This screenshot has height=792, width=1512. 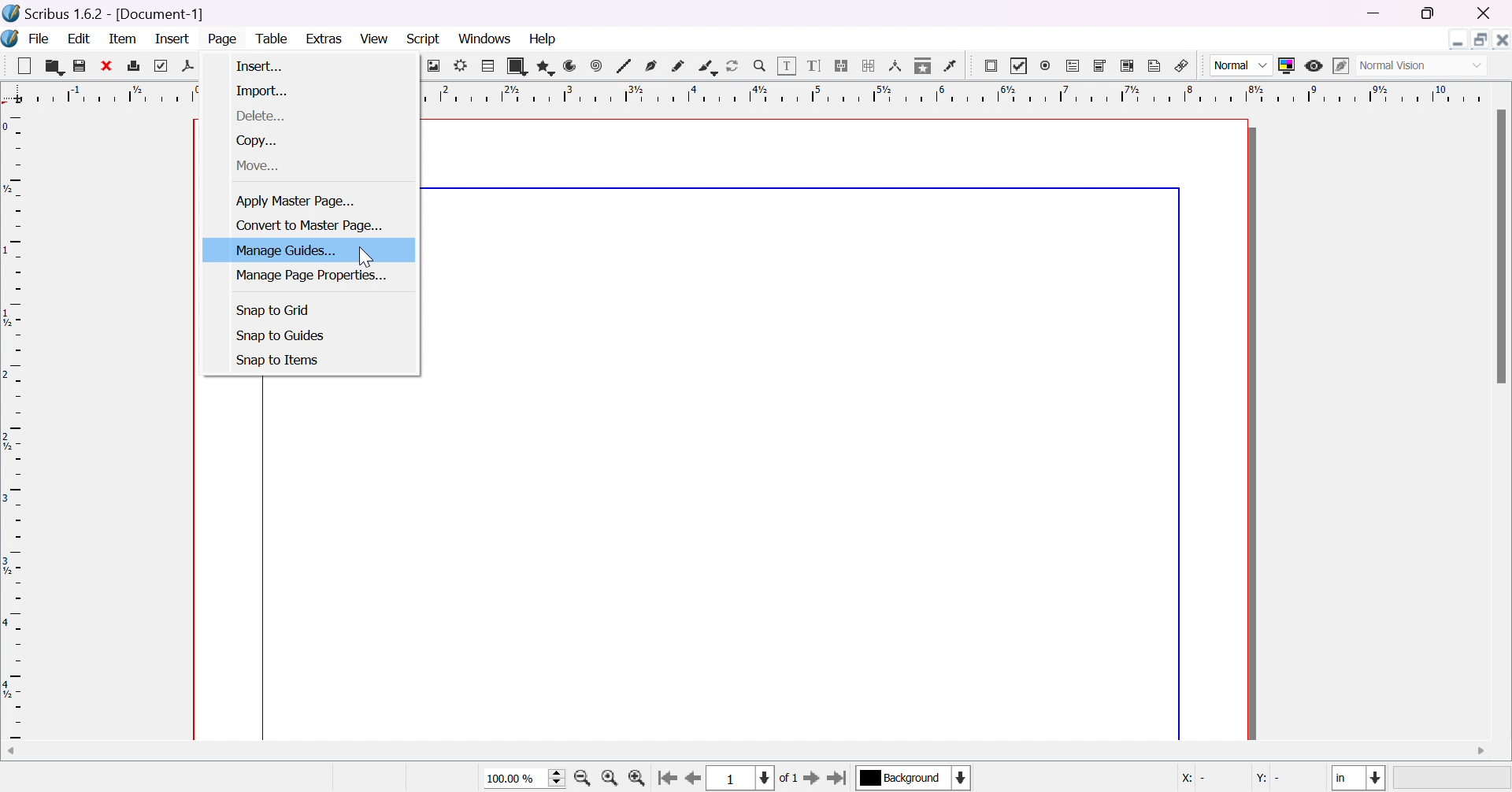 What do you see at coordinates (755, 778) in the screenshot?
I see `select current page` at bounding box center [755, 778].